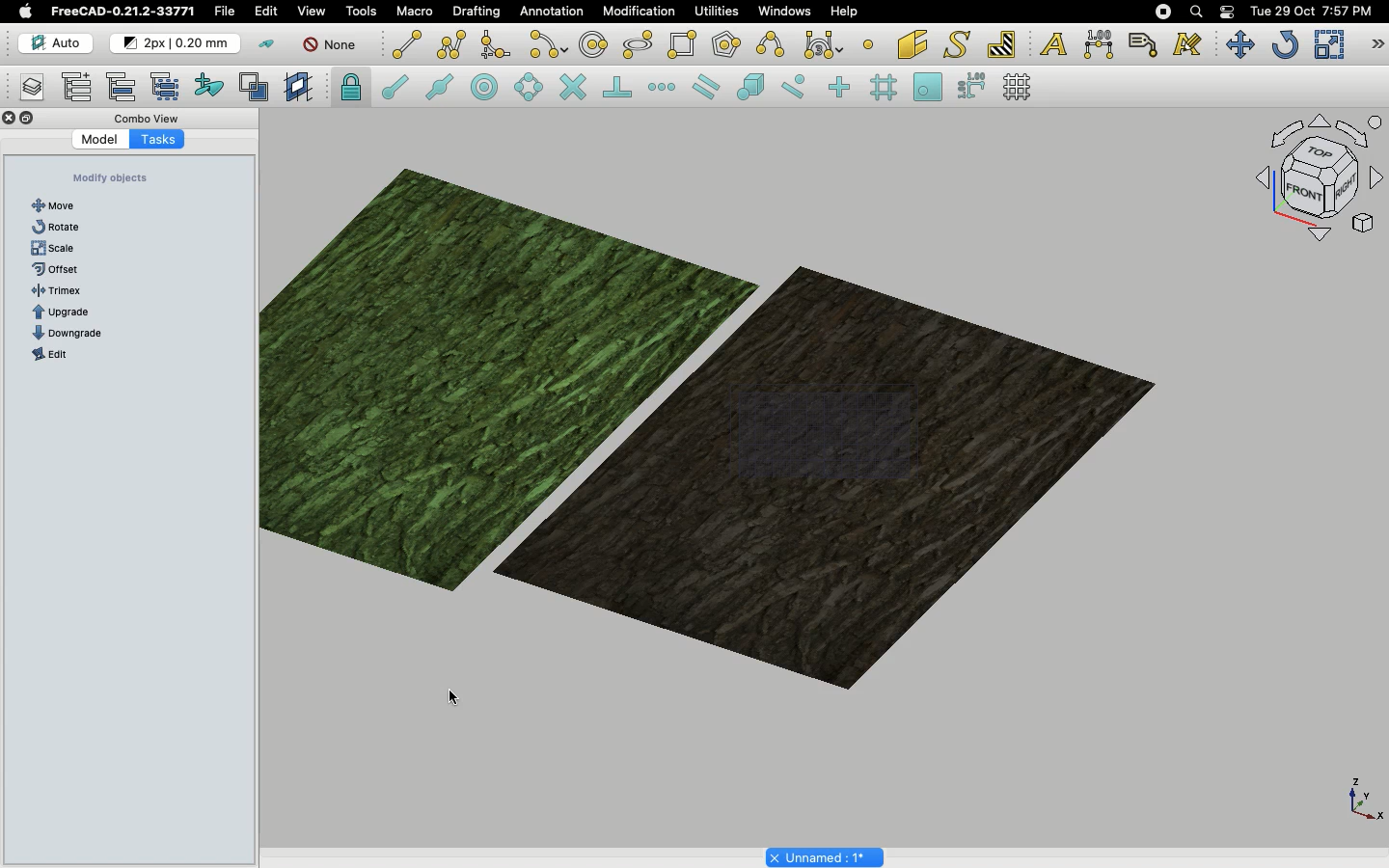  What do you see at coordinates (416, 12) in the screenshot?
I see `Macro` at bounding box center [416, 12].